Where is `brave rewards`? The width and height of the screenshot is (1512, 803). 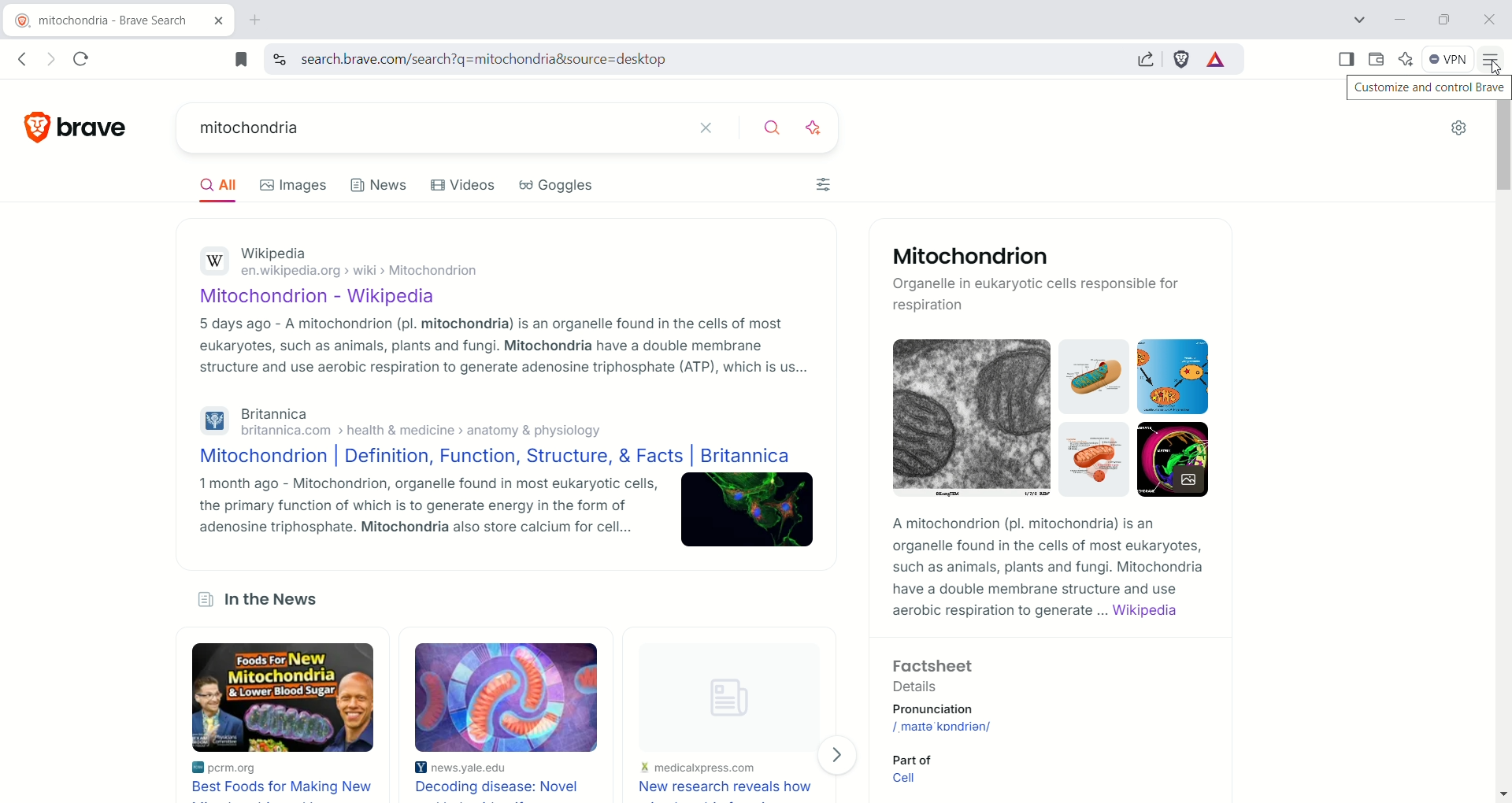 brave rewards is located at coordinates (1220, 62).